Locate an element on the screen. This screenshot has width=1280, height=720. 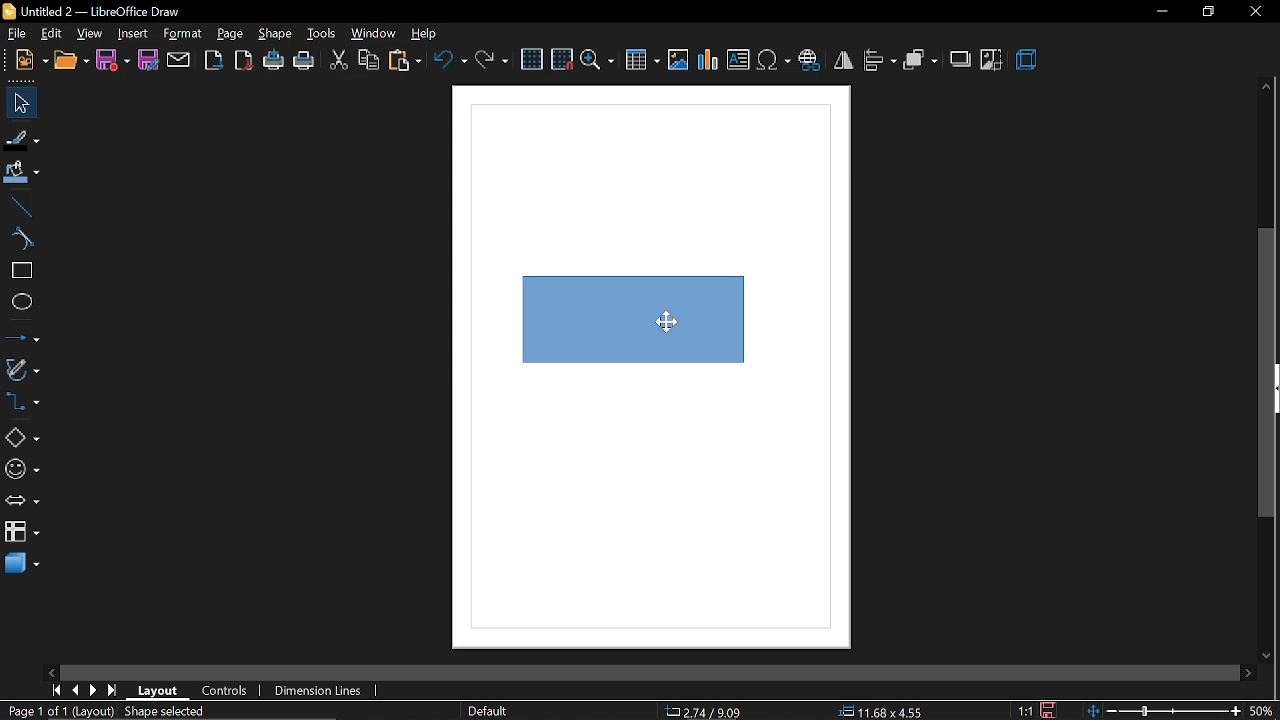
connectors is located at coordinates (22, 401).